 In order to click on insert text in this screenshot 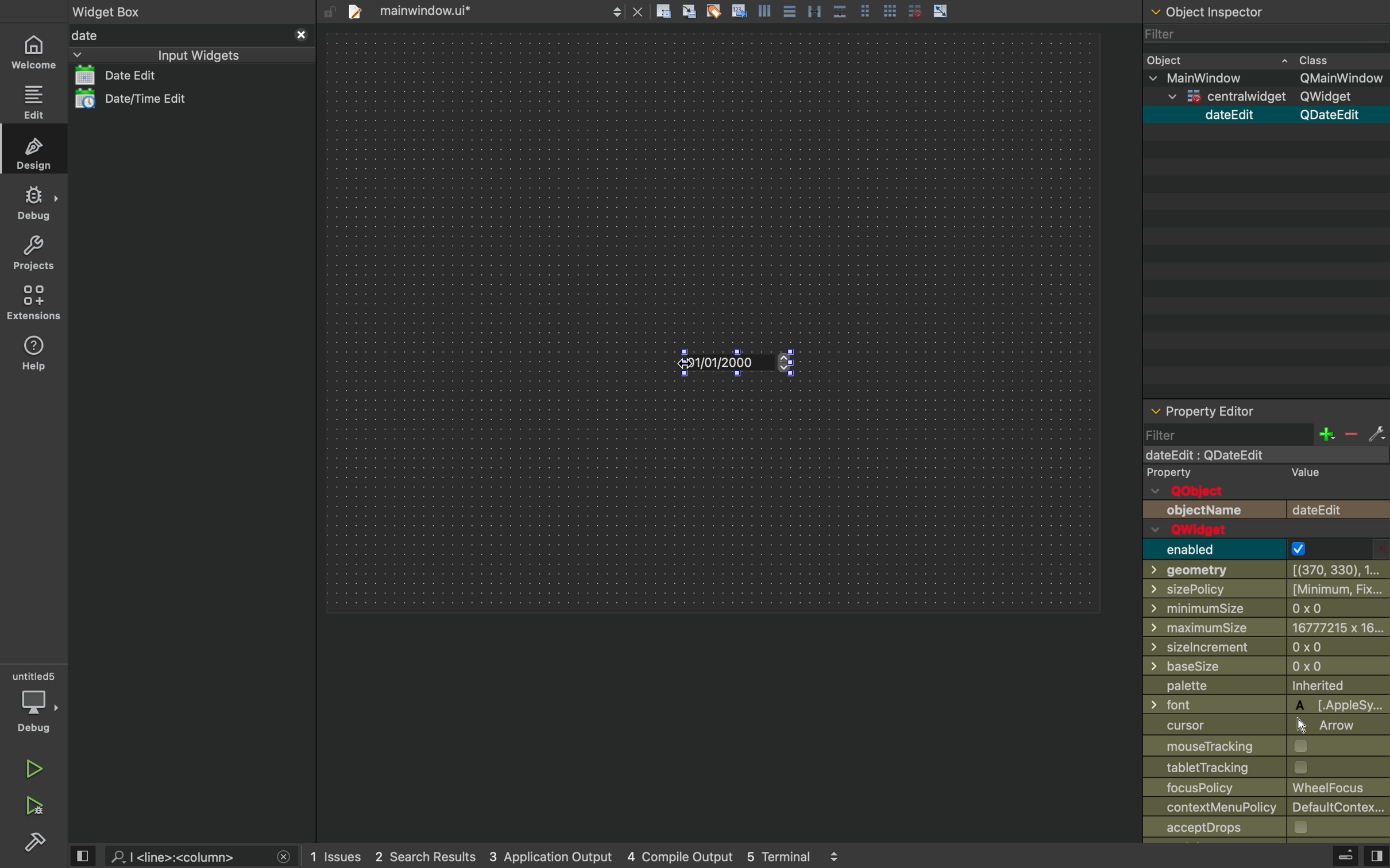, I will do `click(738, 10)`.